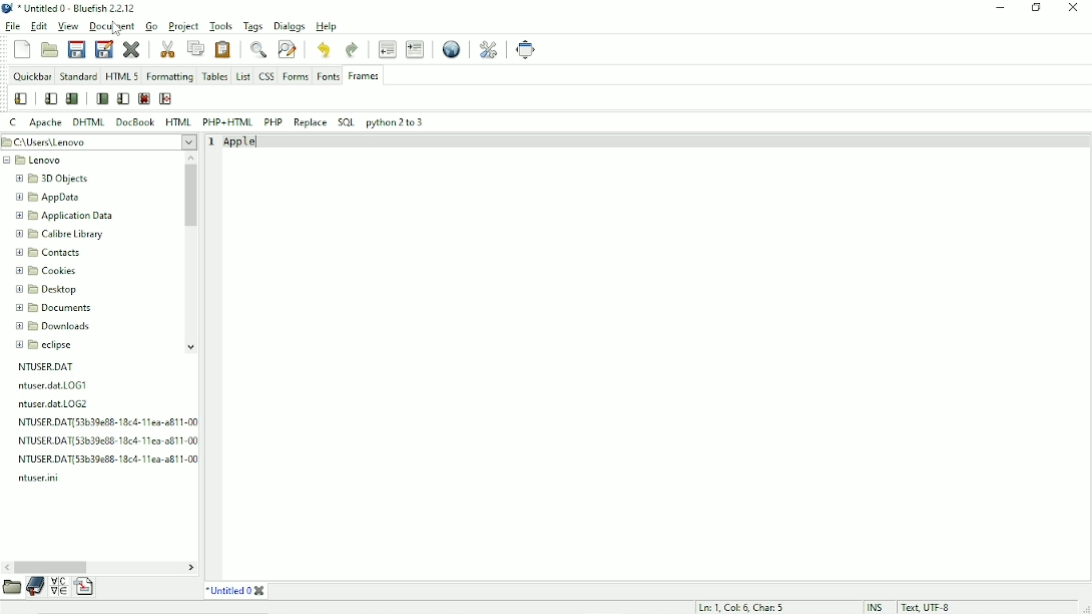  Describe the element at coordinates (386, 47) in the screenshot. I see `Unindent` at that location.